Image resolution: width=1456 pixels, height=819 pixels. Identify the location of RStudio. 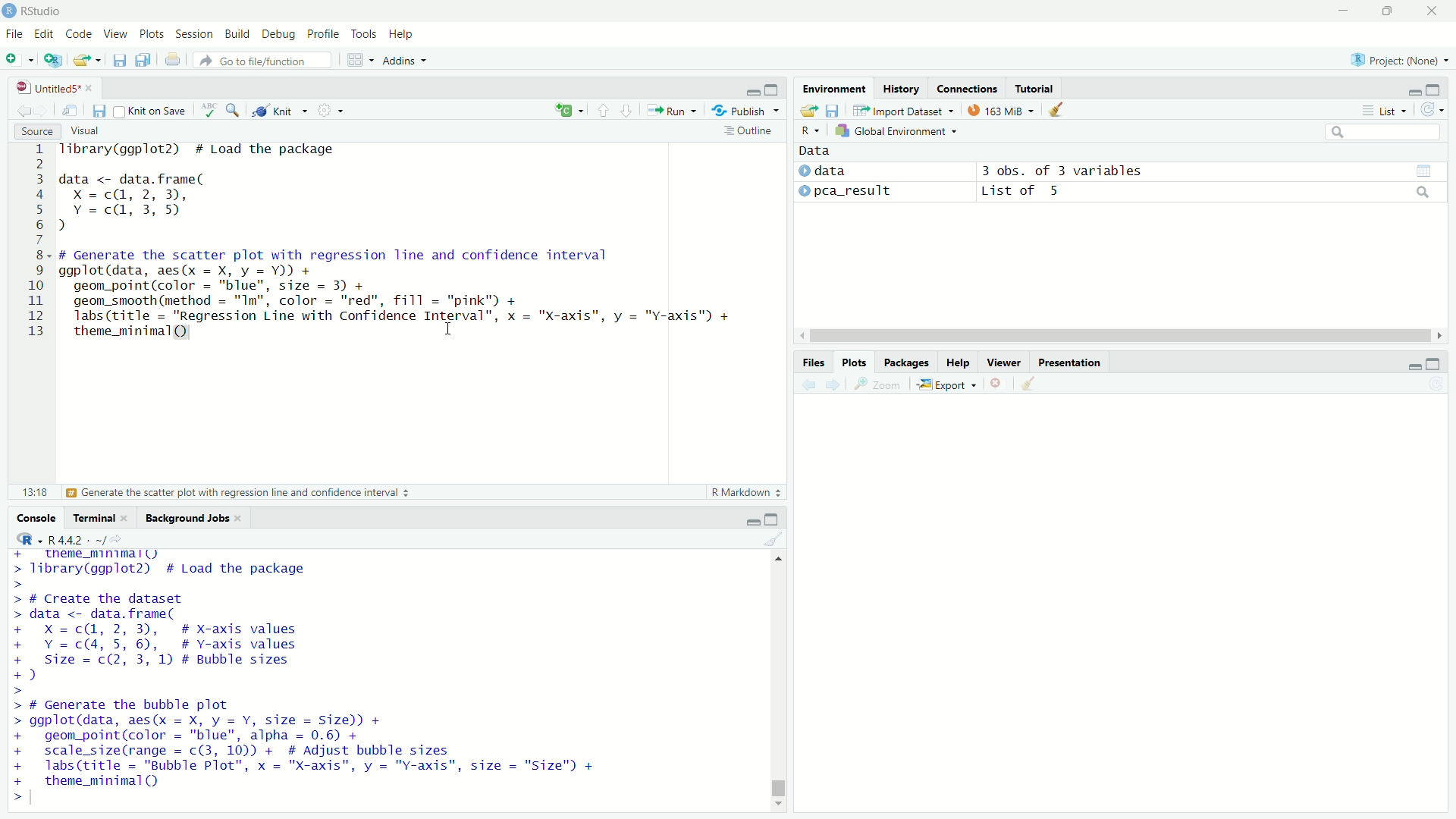
(33, 11).